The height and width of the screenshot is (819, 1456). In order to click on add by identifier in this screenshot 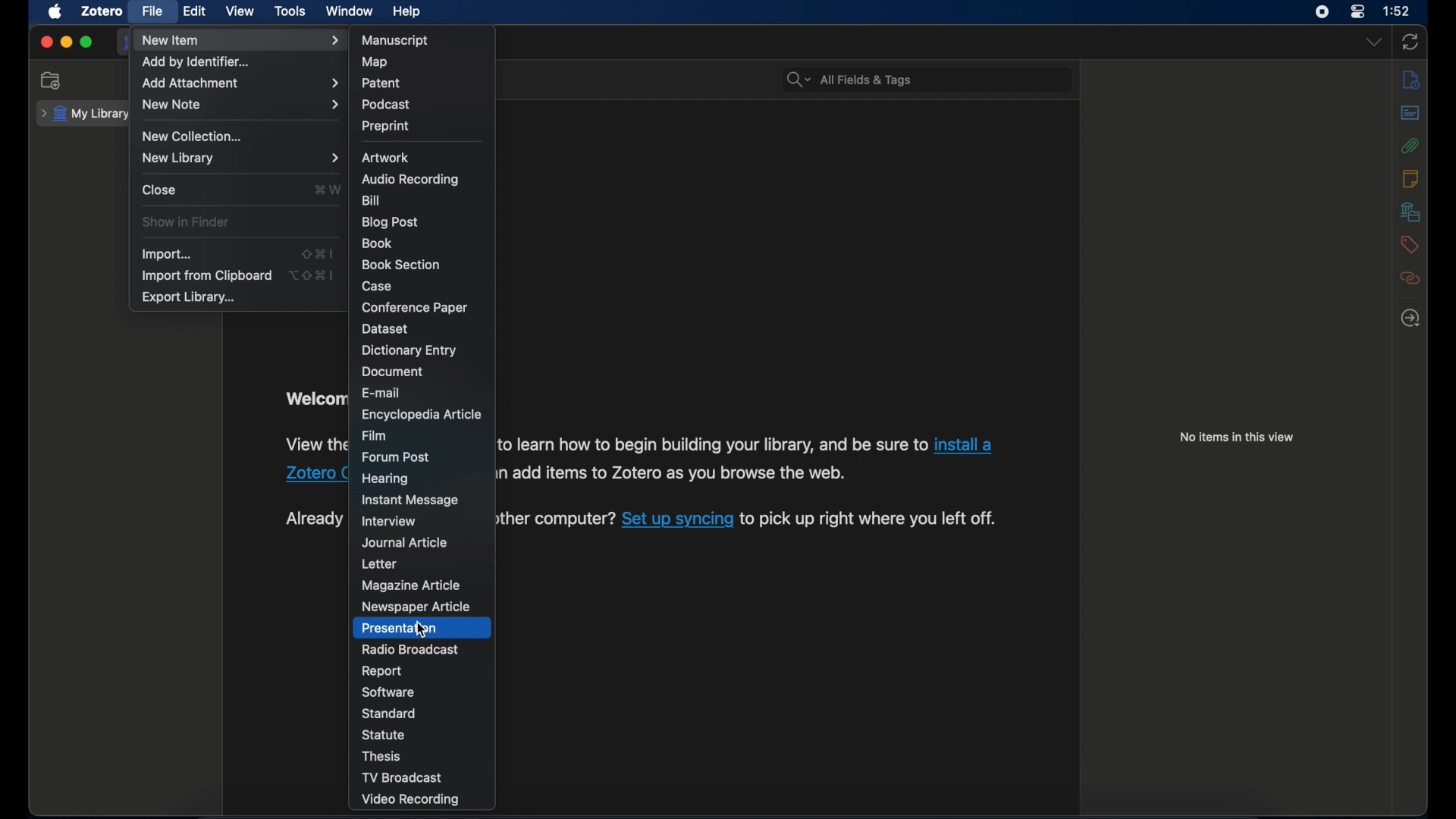, I will do `click(196, 63)`.